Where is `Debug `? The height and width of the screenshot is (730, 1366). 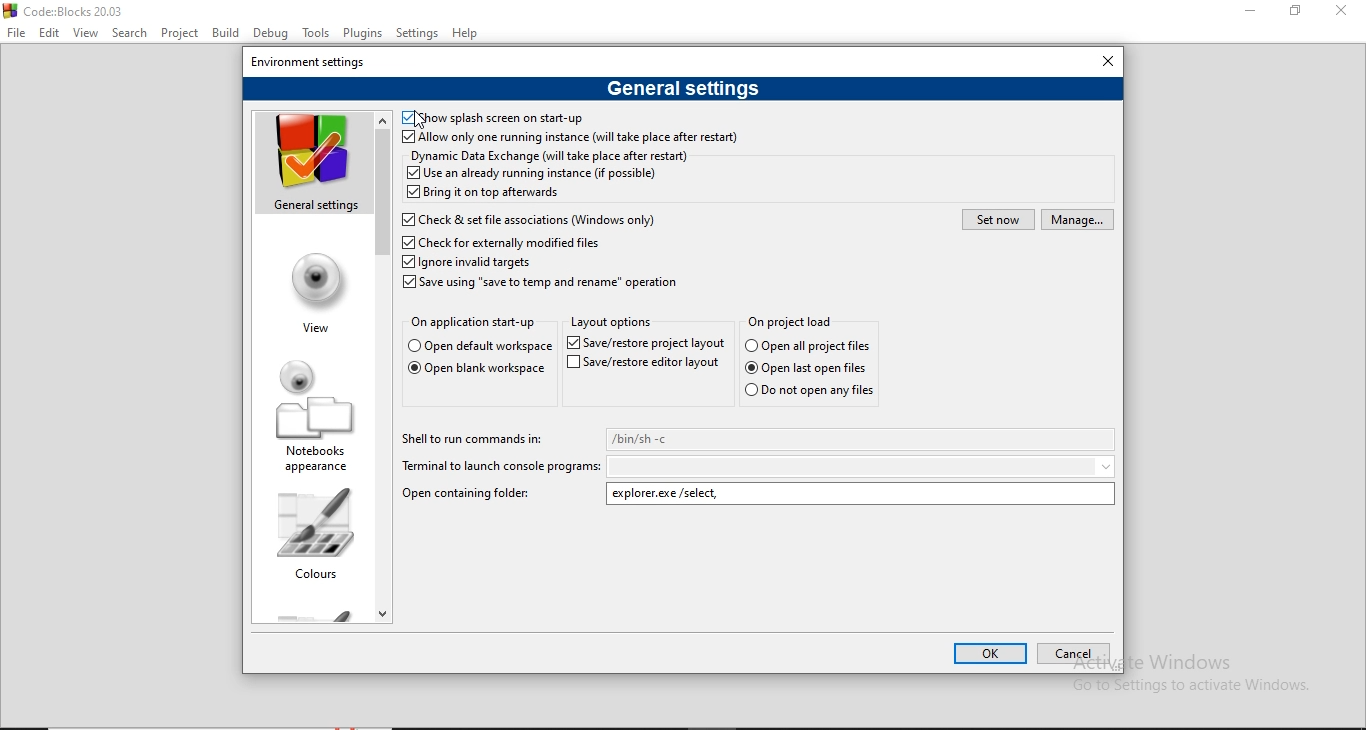
Debug  is located at coordinates (272, 32).